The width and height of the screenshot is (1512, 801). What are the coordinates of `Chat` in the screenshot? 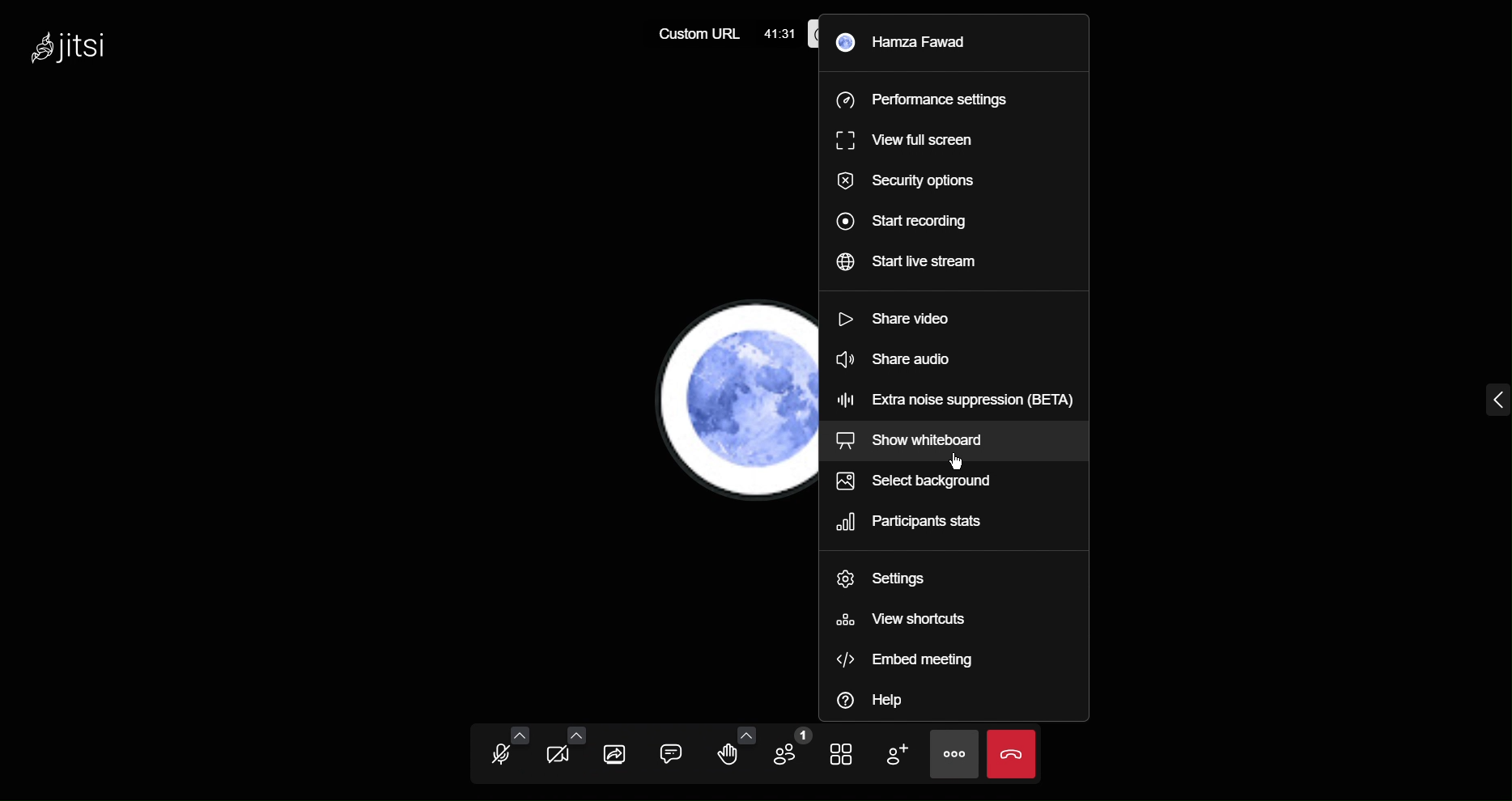 It's located at (673, 752).